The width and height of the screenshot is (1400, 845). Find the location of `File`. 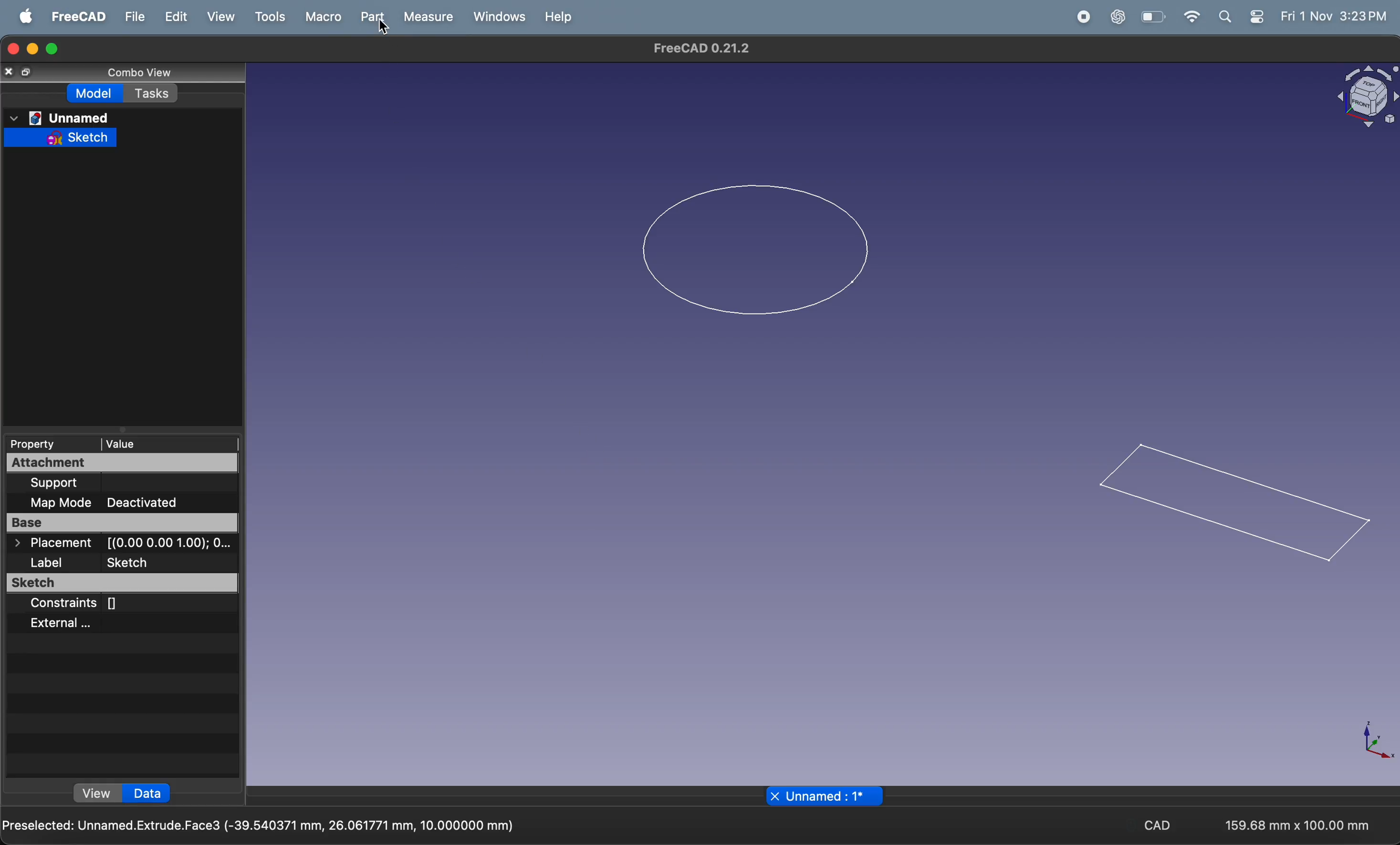

File is located at coordinates (134, 16).